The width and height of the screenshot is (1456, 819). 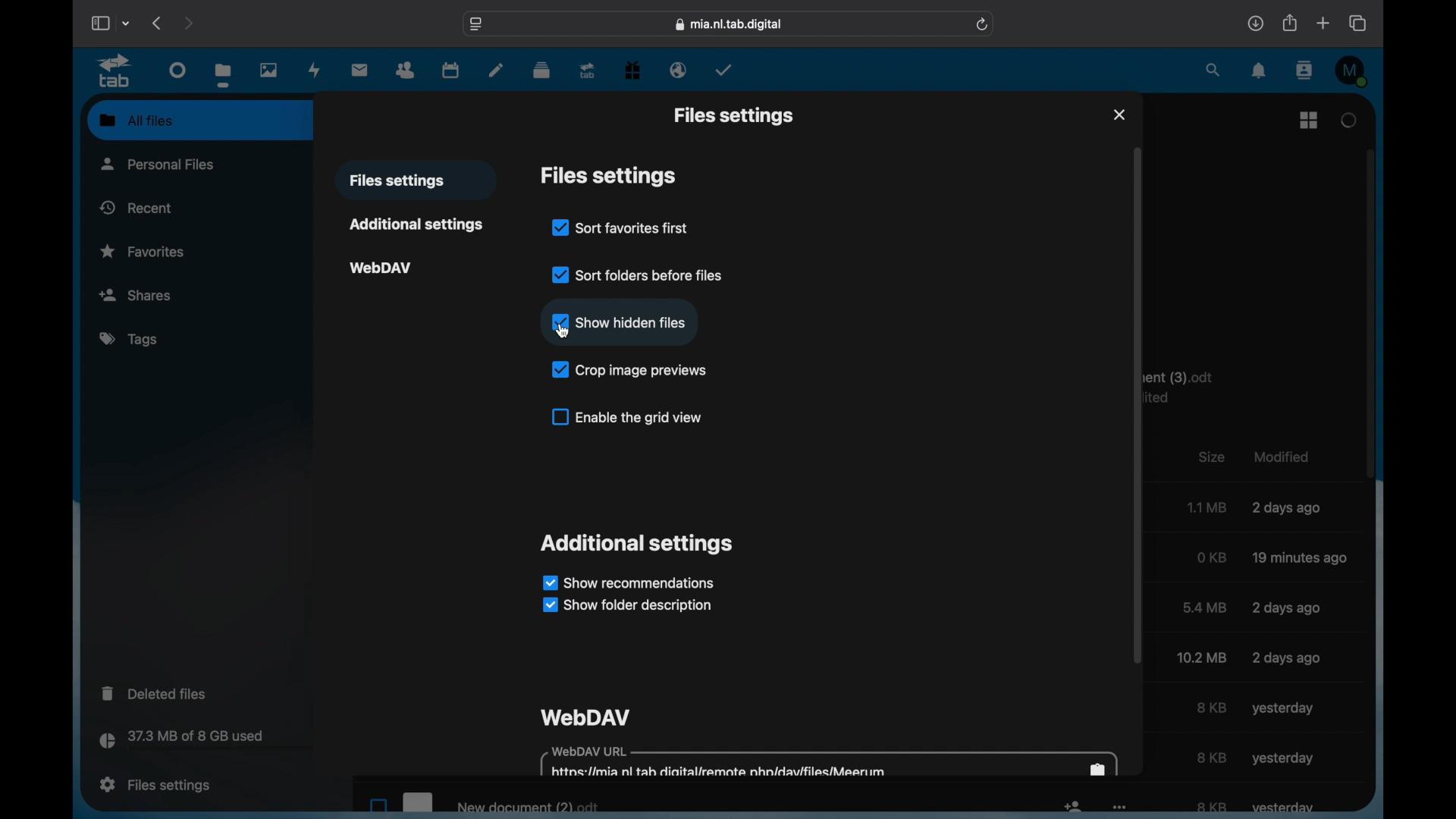 What do you see at coordinates (117, 71) in the screenshot?
I see `tab` at bounding box center [117, 71].